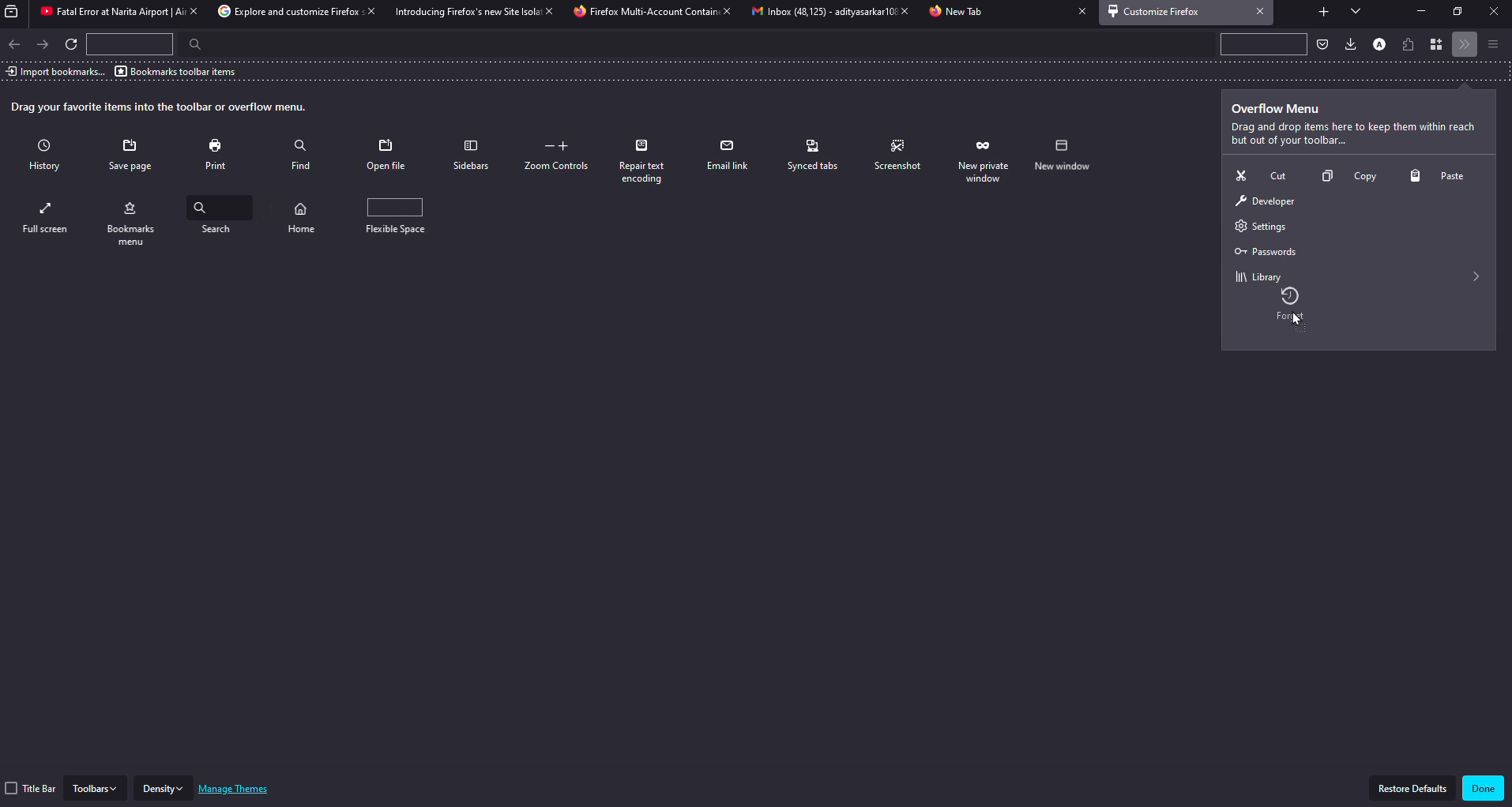 Image resolution: width=1512 pixels, height=807 pixels. I want to click on new window, so click(47, 217).